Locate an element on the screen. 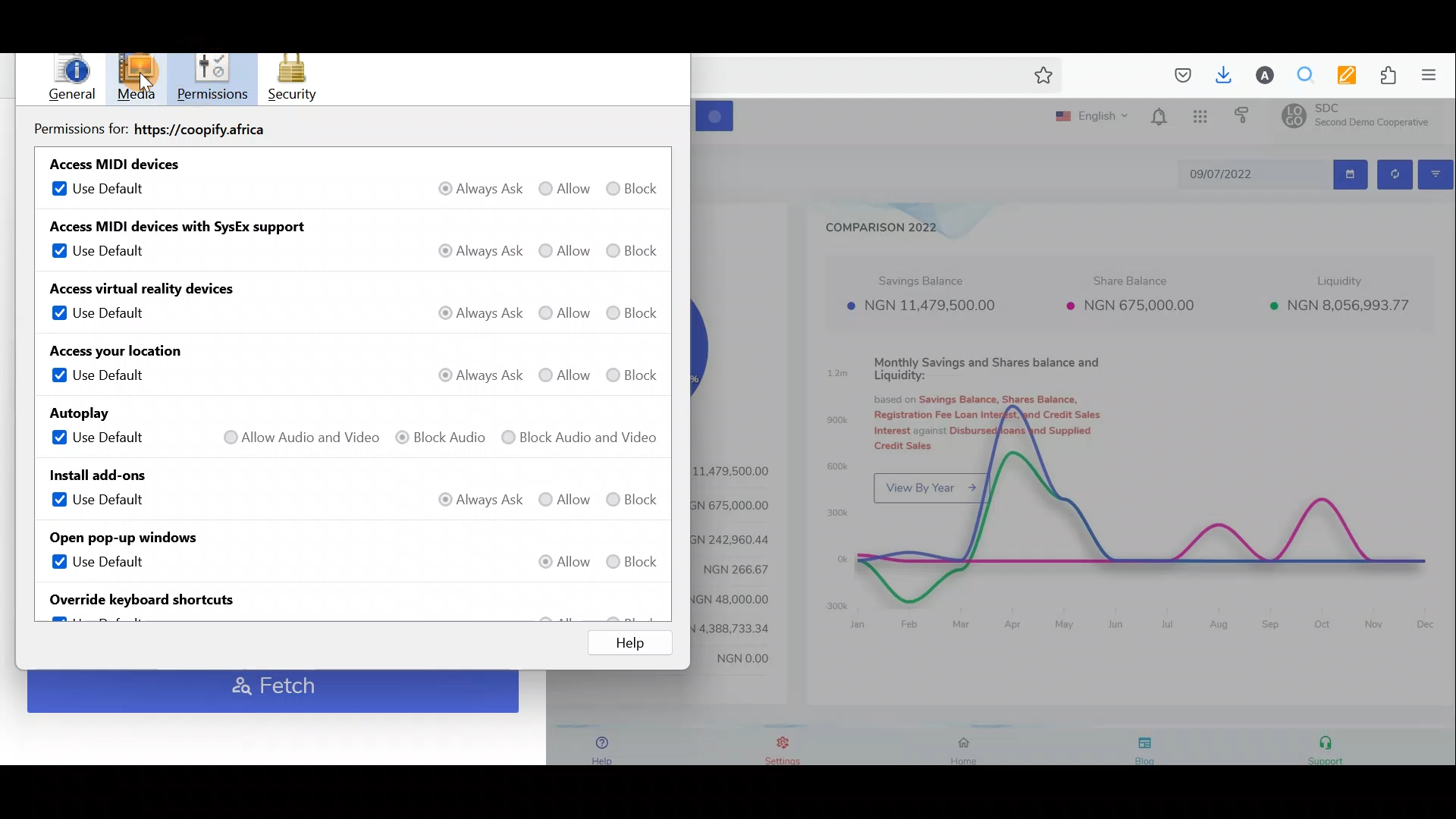 Image resolution: width=1456 pixels, height=819 pixels. Allow is located at coordinates (566, 560).